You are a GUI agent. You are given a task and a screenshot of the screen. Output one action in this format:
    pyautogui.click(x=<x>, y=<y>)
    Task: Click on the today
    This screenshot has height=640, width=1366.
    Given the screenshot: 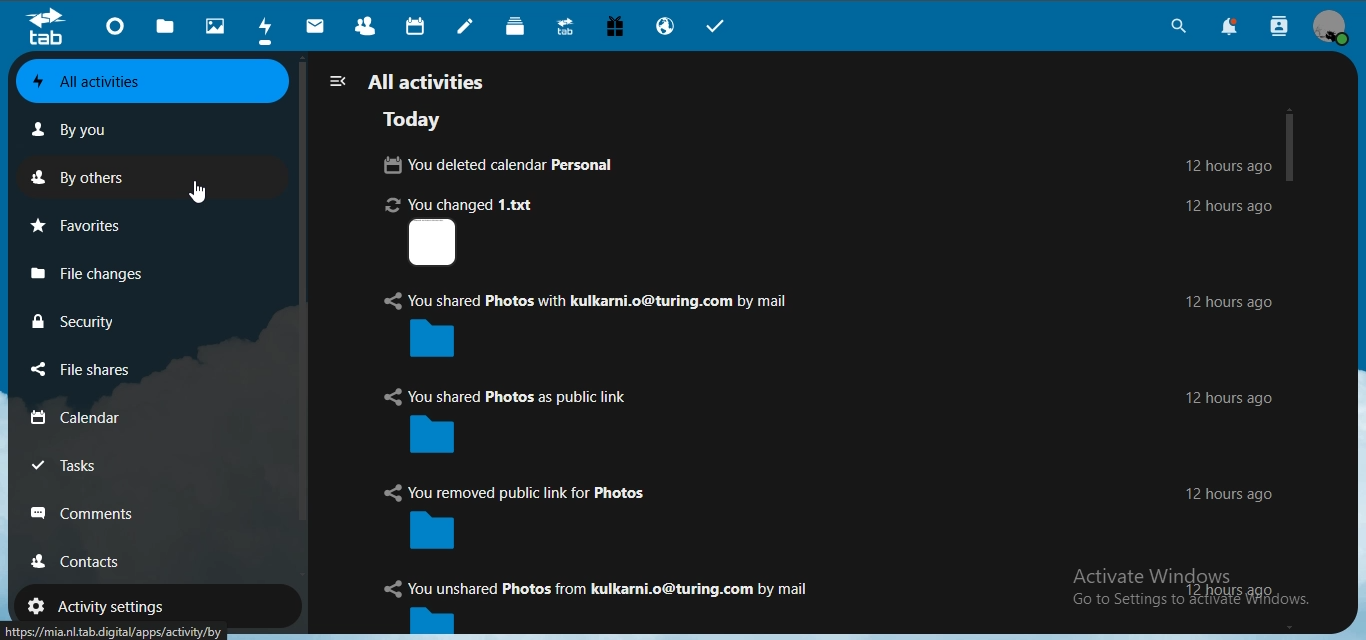 What is the action you would take?
    pyautogui.click(x=415, y=122)
    